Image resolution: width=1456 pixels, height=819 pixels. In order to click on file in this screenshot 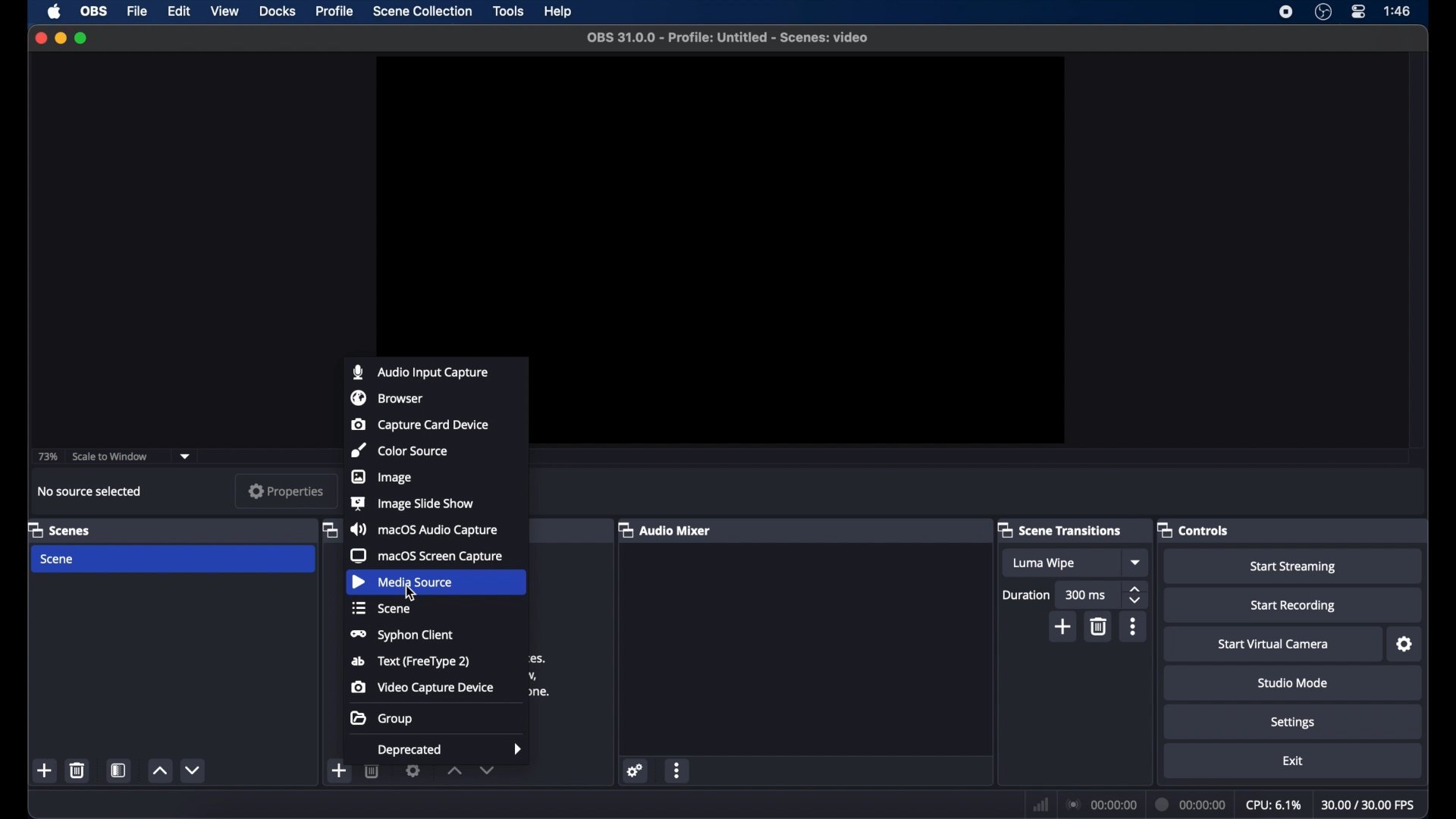, I will do `click(138, 12)`.